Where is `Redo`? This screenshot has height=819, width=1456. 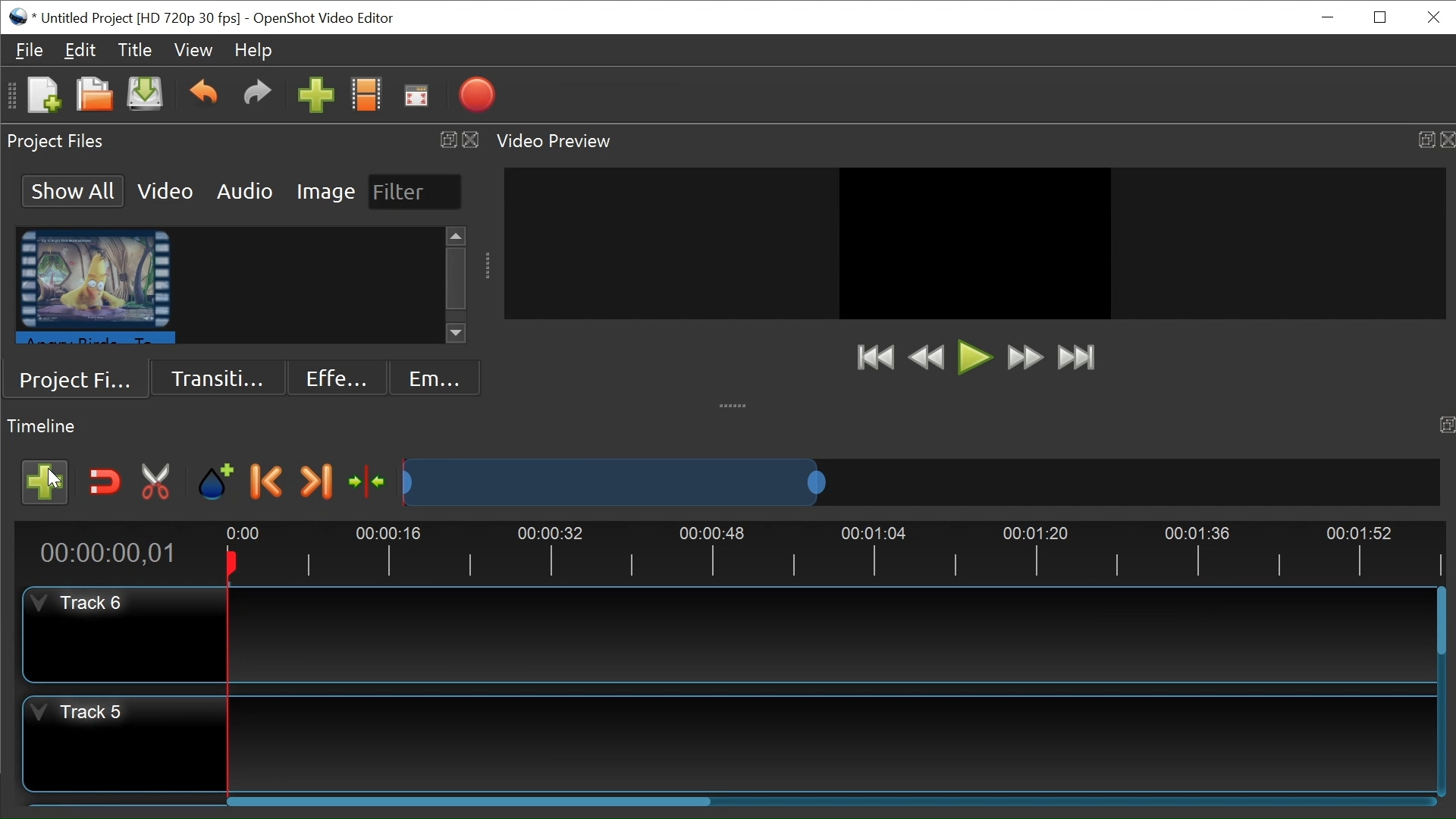
Redo is located at coordinates (256, 95).